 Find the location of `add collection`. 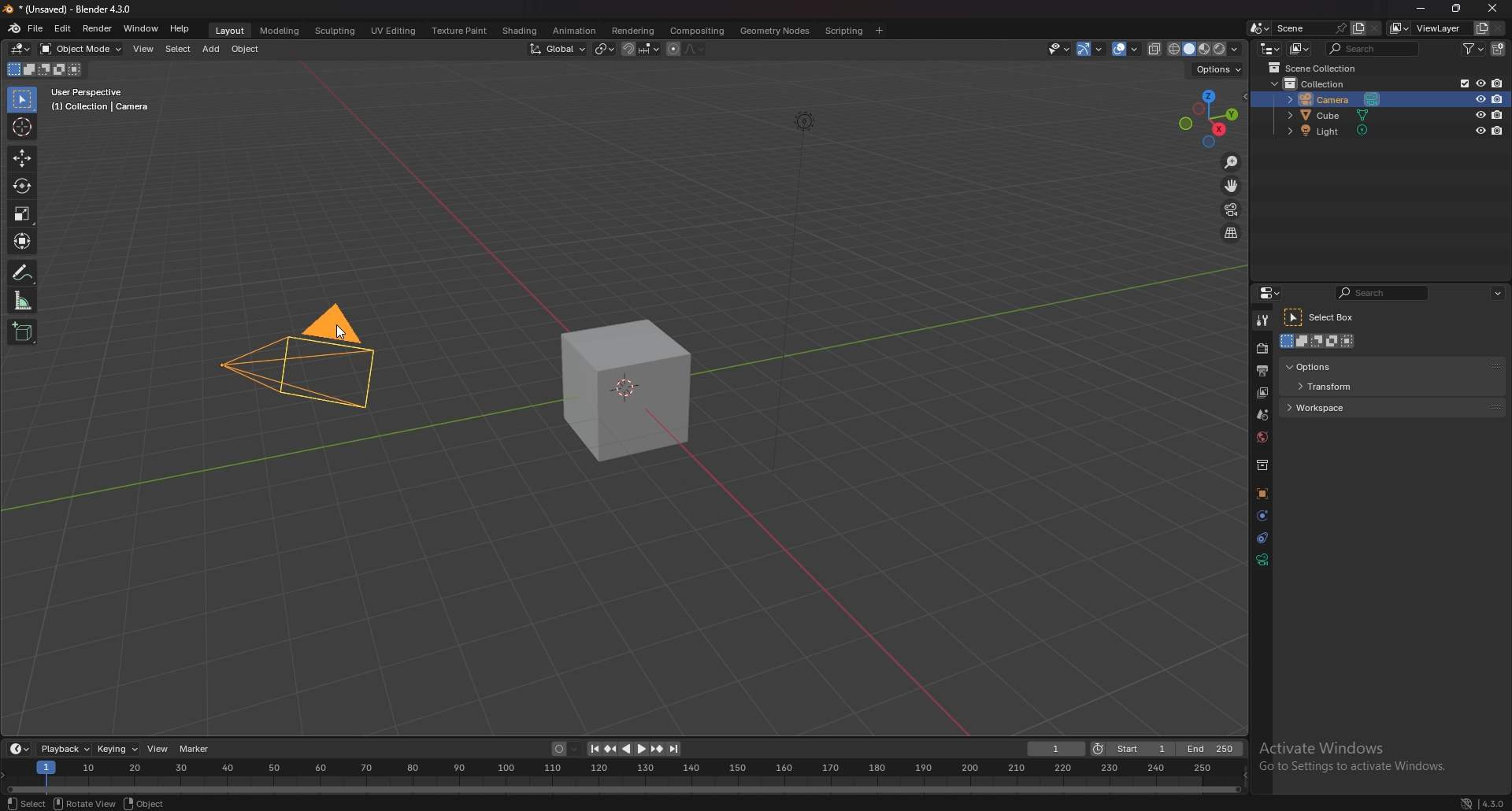

add collection is located at coordinates (1499, 48).